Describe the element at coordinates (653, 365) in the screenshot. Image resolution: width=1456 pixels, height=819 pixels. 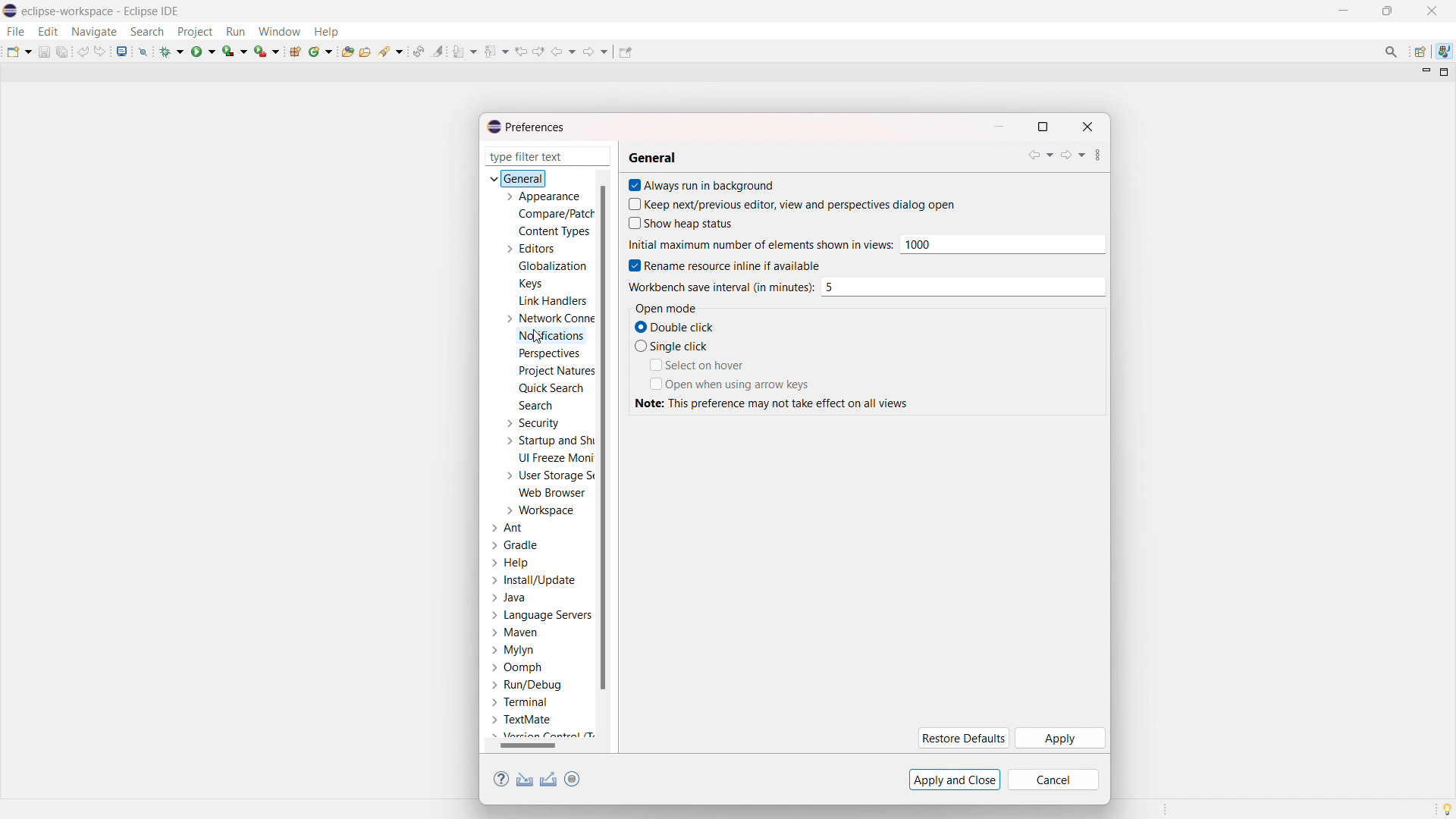
I see `Checkbox` at that location.